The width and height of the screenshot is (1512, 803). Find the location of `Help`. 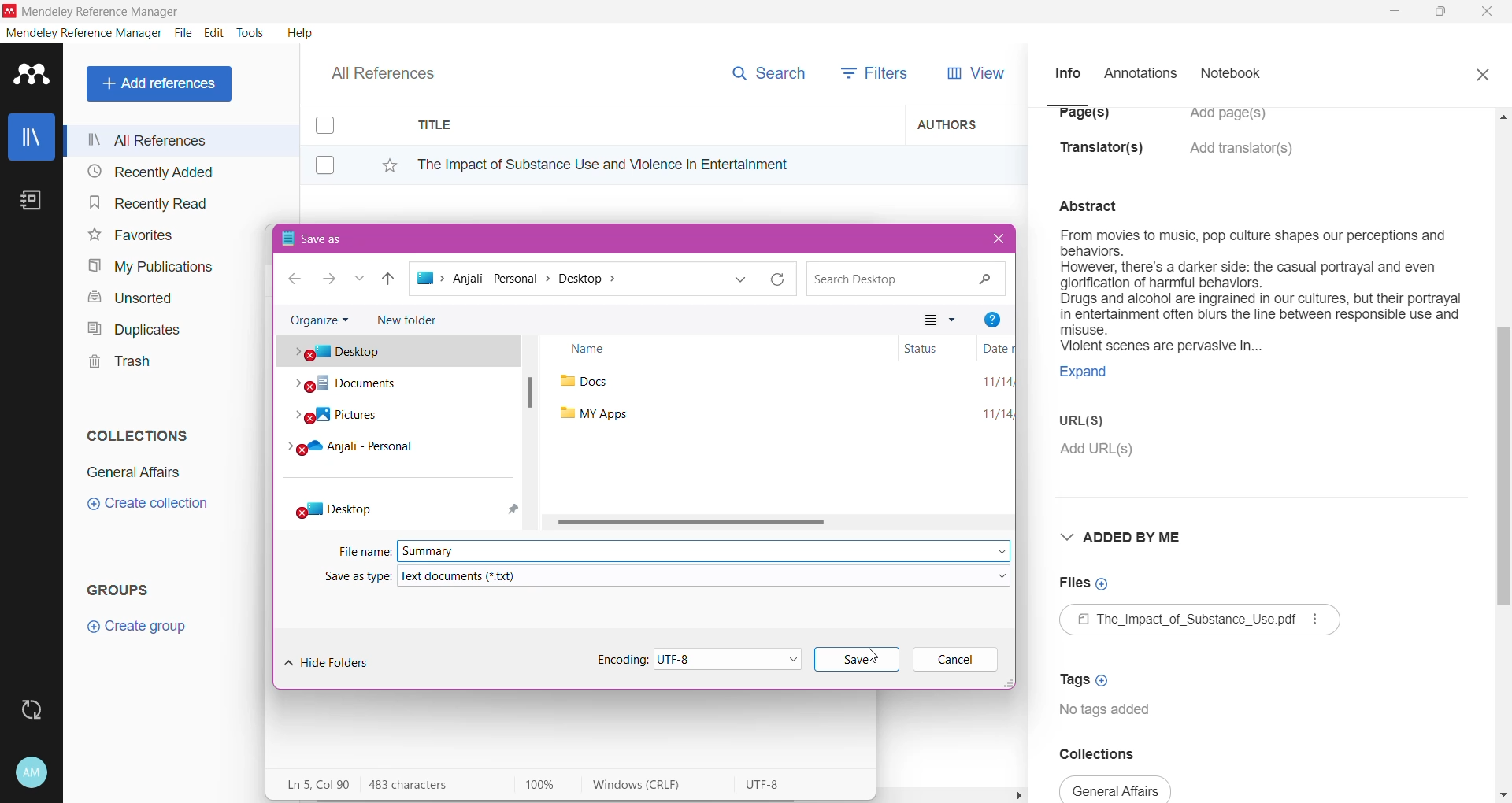

Help is located at coordinates (298, 32).